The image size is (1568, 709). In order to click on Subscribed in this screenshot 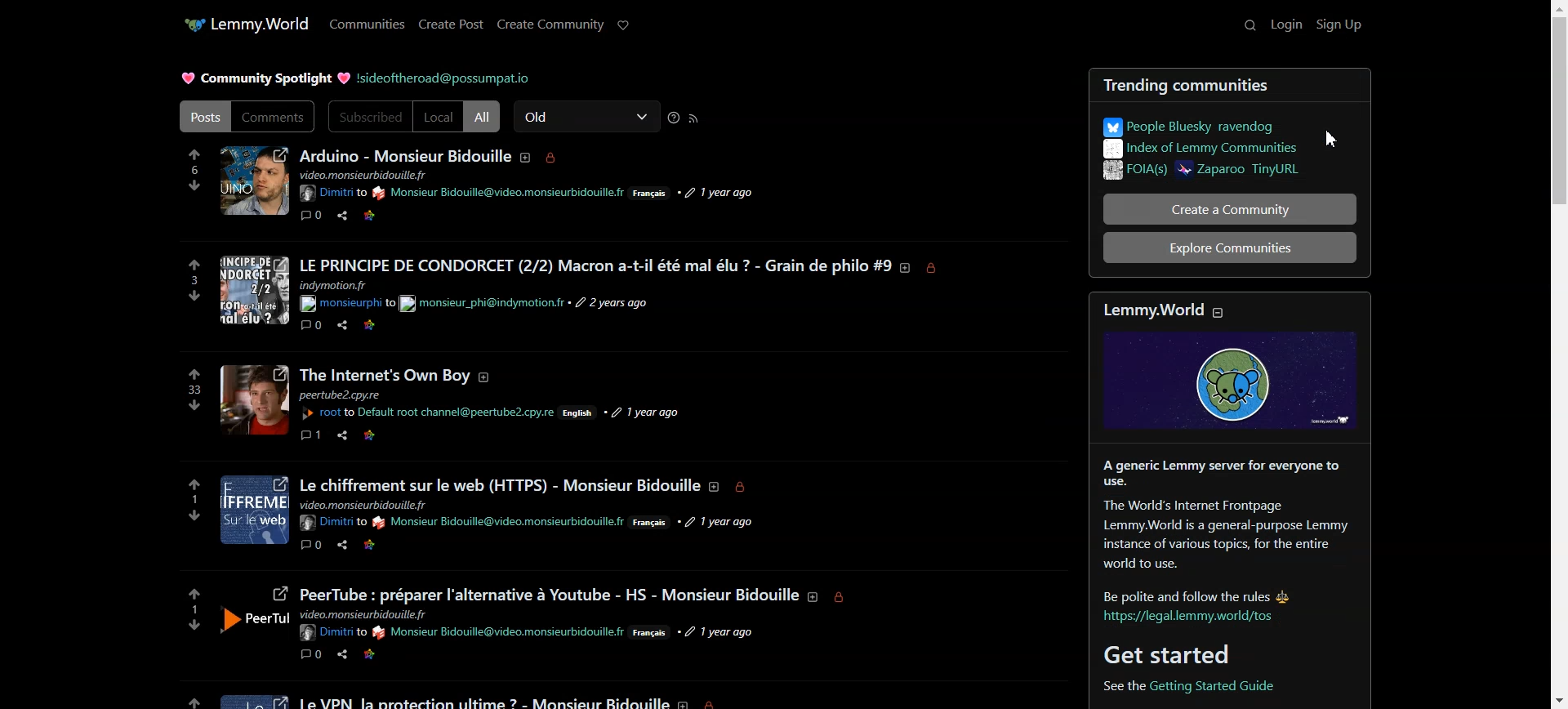, I will do `click(369, 117)`.